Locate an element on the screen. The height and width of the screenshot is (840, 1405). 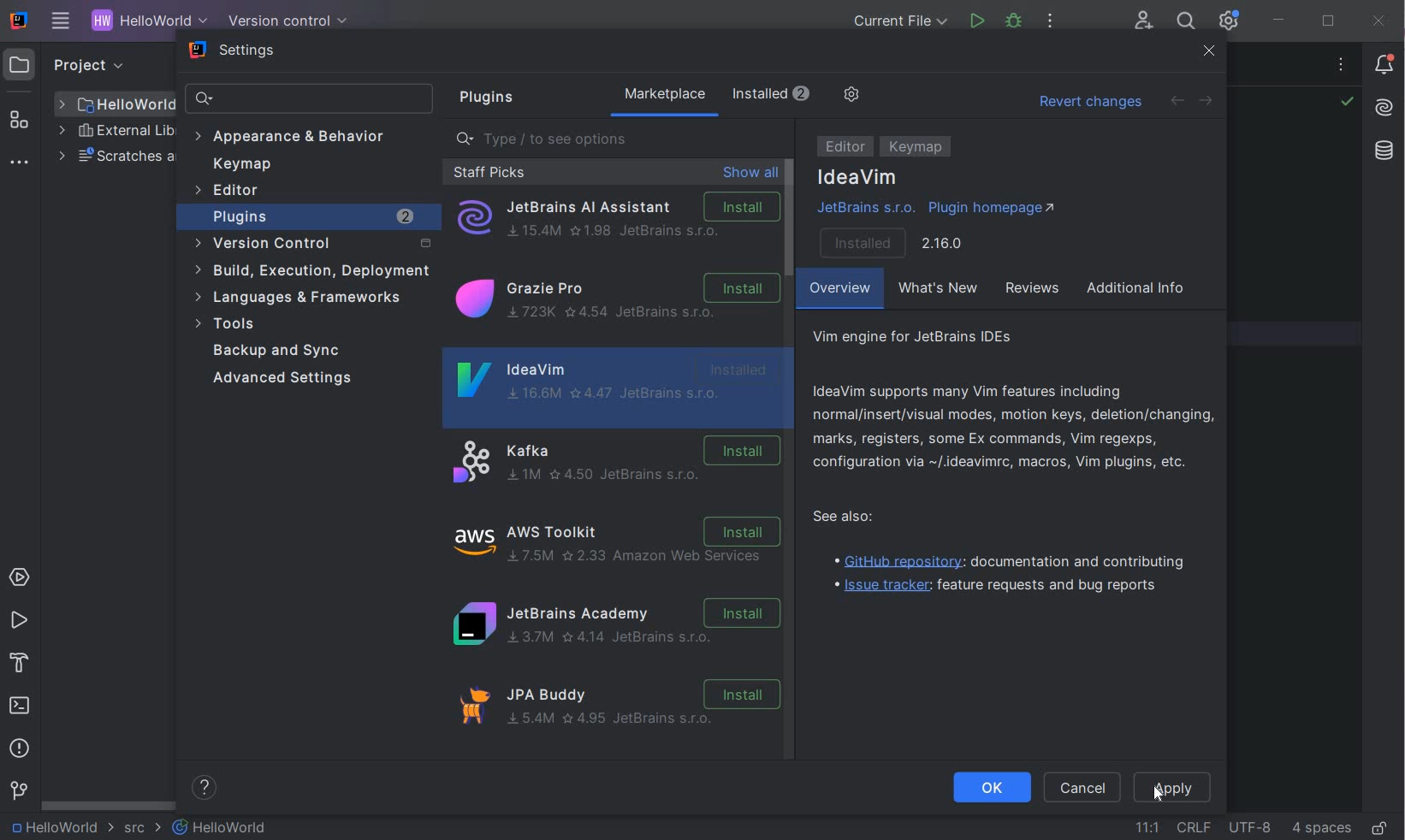
minimize is located at coordinates (1280, 21).